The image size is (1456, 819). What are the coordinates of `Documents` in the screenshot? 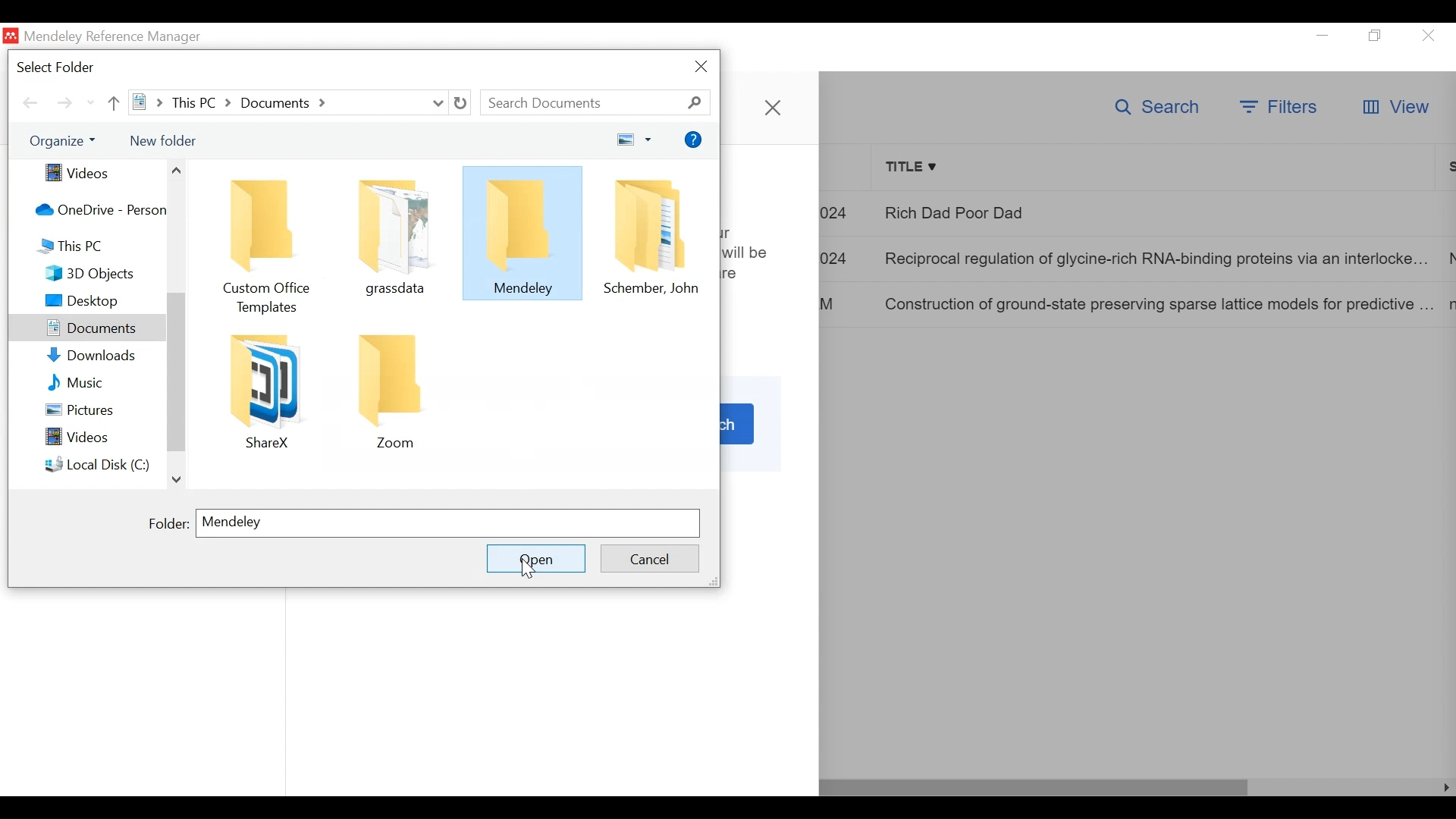 It's located at (86, 328).